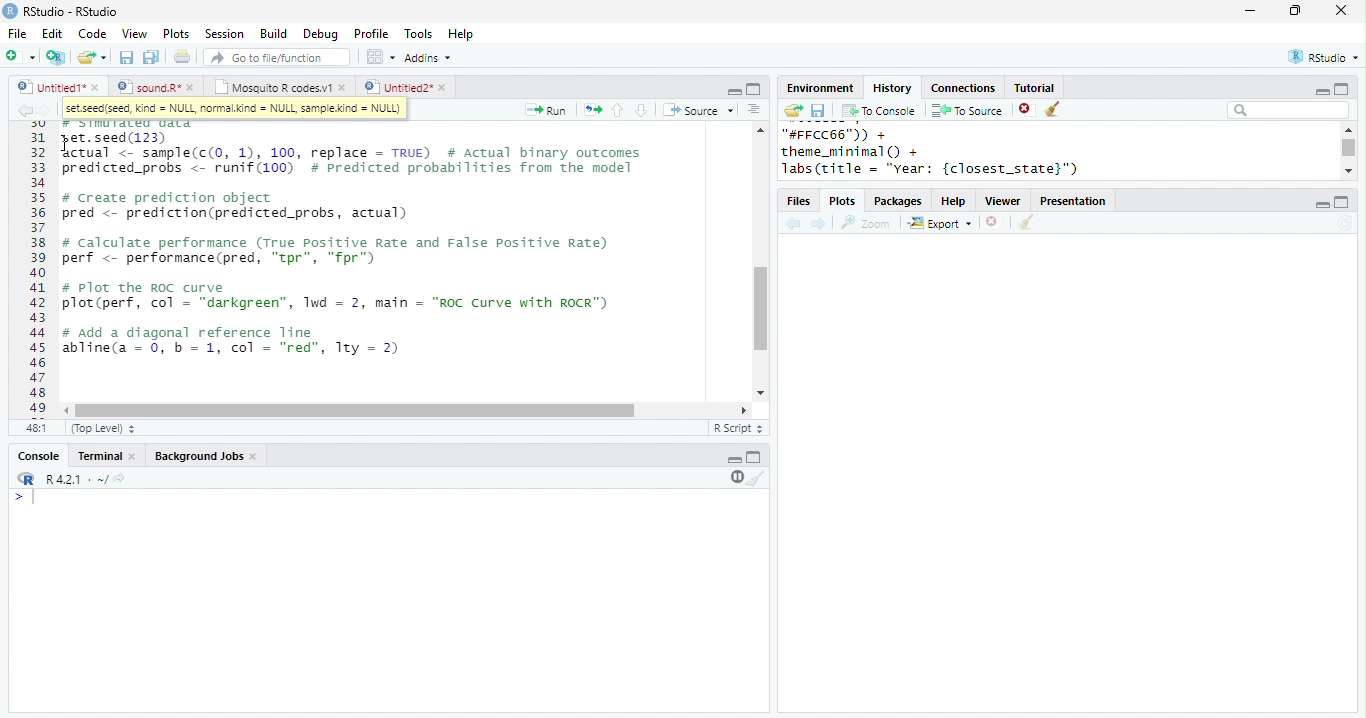 This screenshot has height=718, width=1366. I want to click on Connections, so click(962, 88).